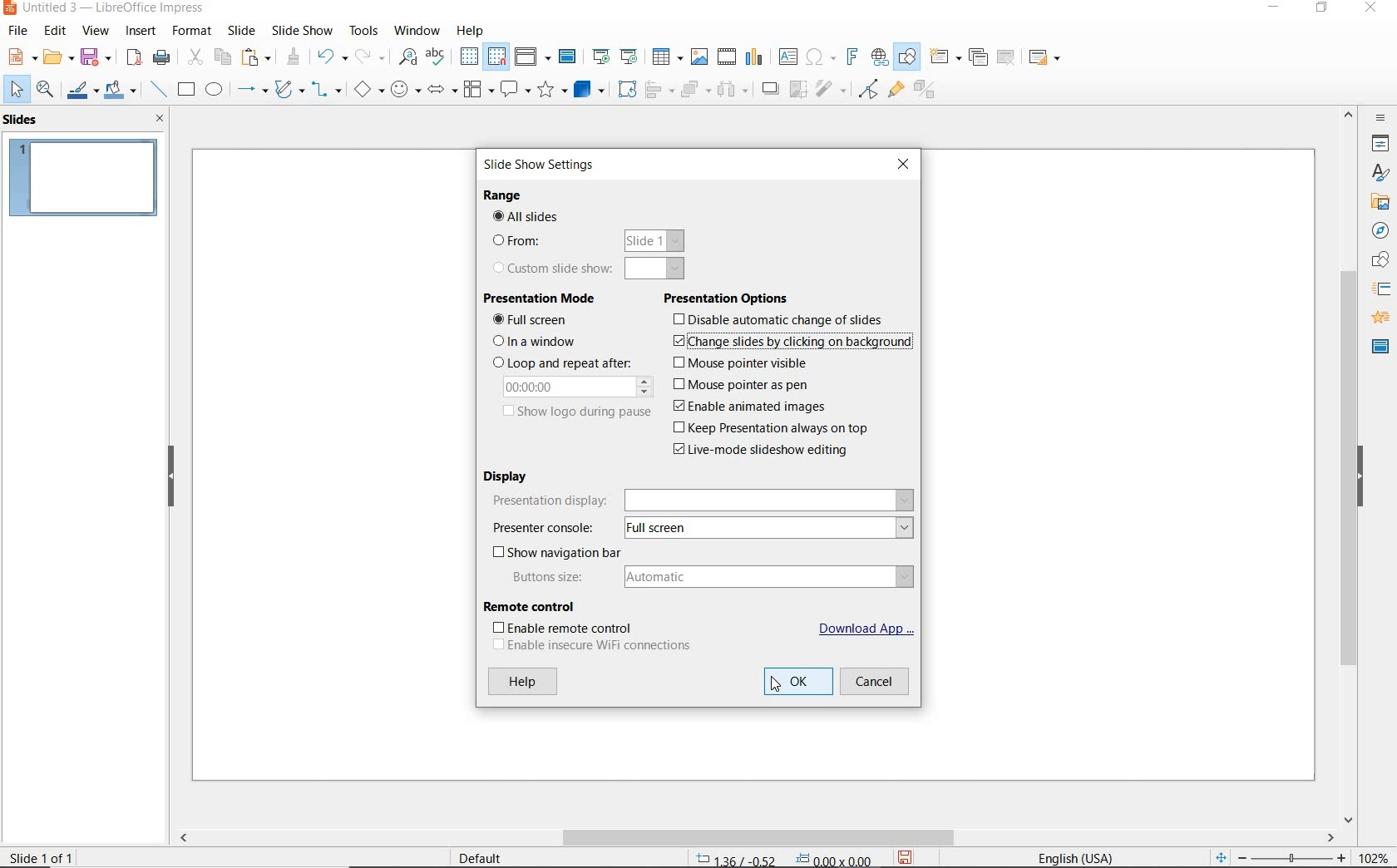 This screenshot has width=1397, height=868. I want to click on SIDEBAR SETTINGS, so click(1380, 119).